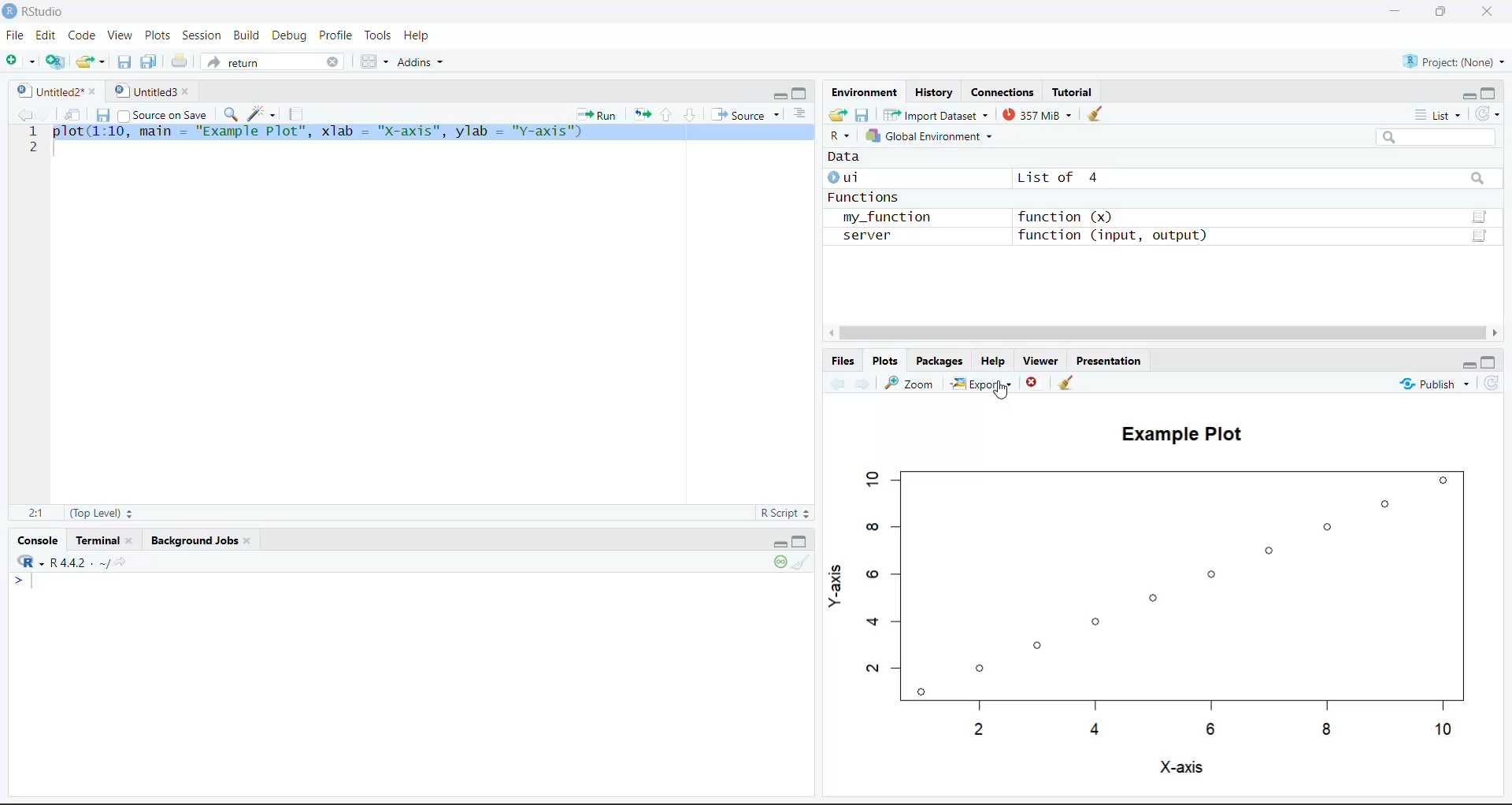  What do you see at coordinates (1107, 359) in the screenshot?
I see `Presentation` at bounding box center [1107, 359].